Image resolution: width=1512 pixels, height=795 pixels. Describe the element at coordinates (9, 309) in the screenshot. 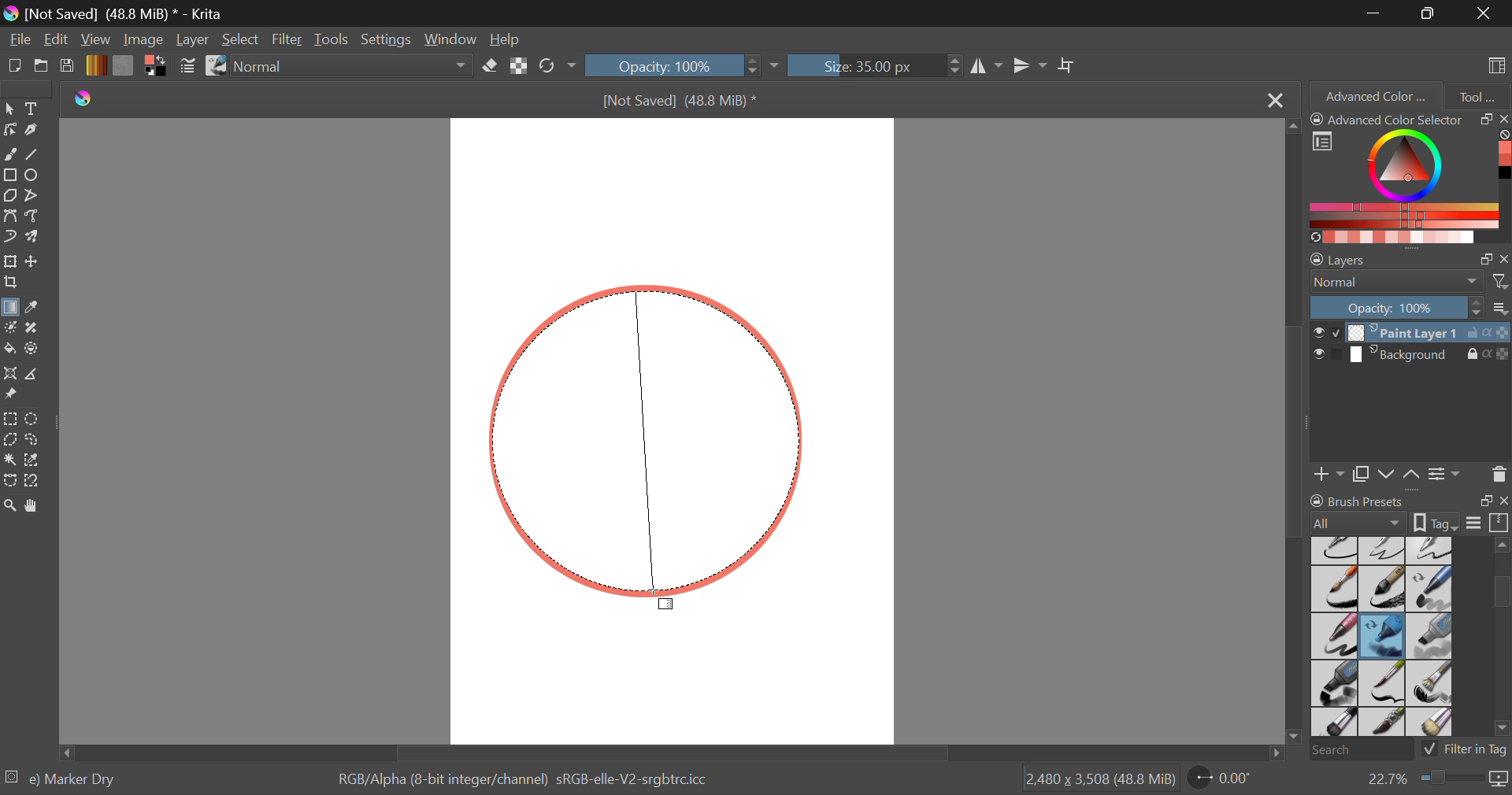

I see `Gradient Fill Selected` at that location.